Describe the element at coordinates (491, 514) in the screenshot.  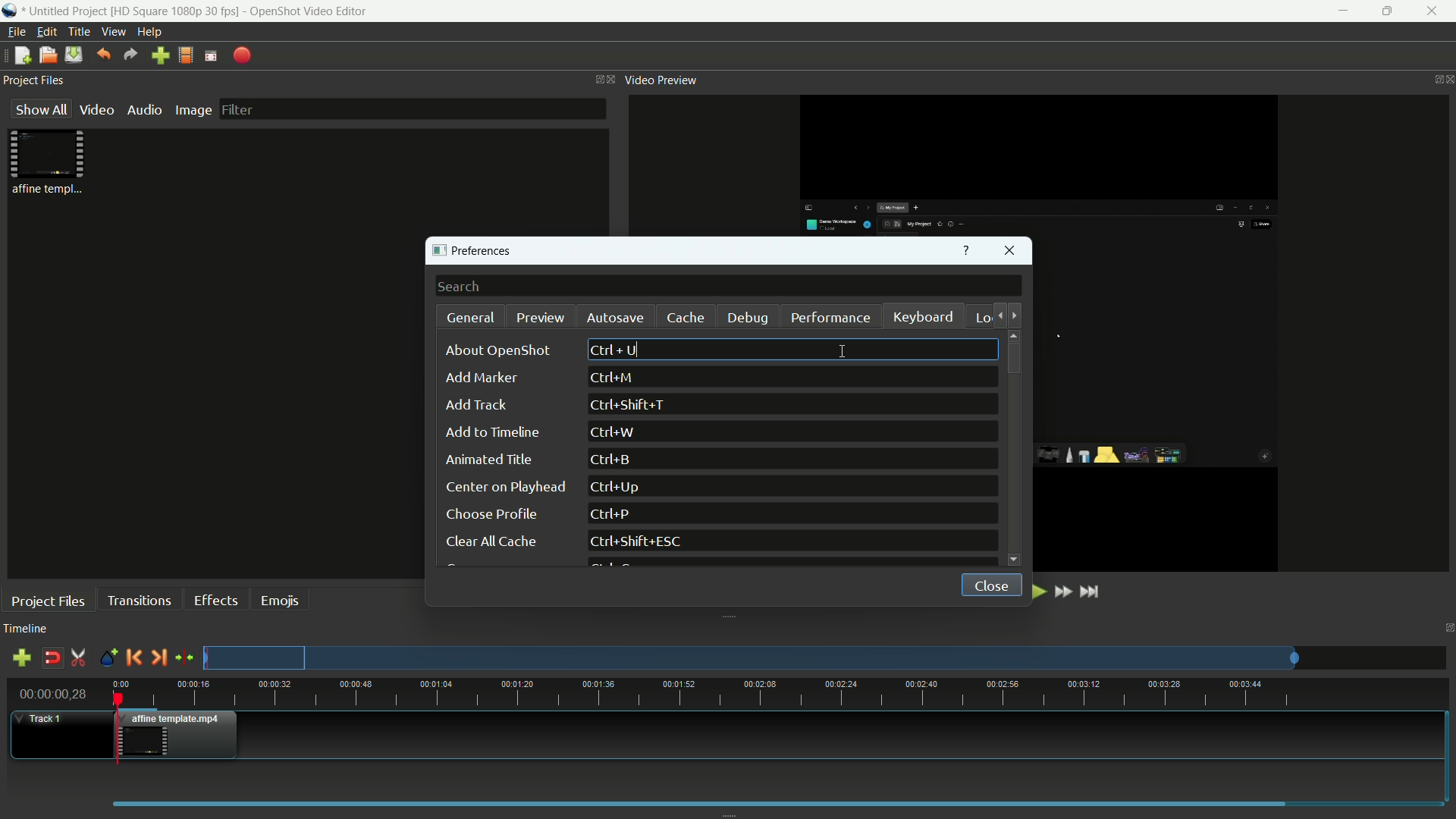
I see `choose profile` at that location.